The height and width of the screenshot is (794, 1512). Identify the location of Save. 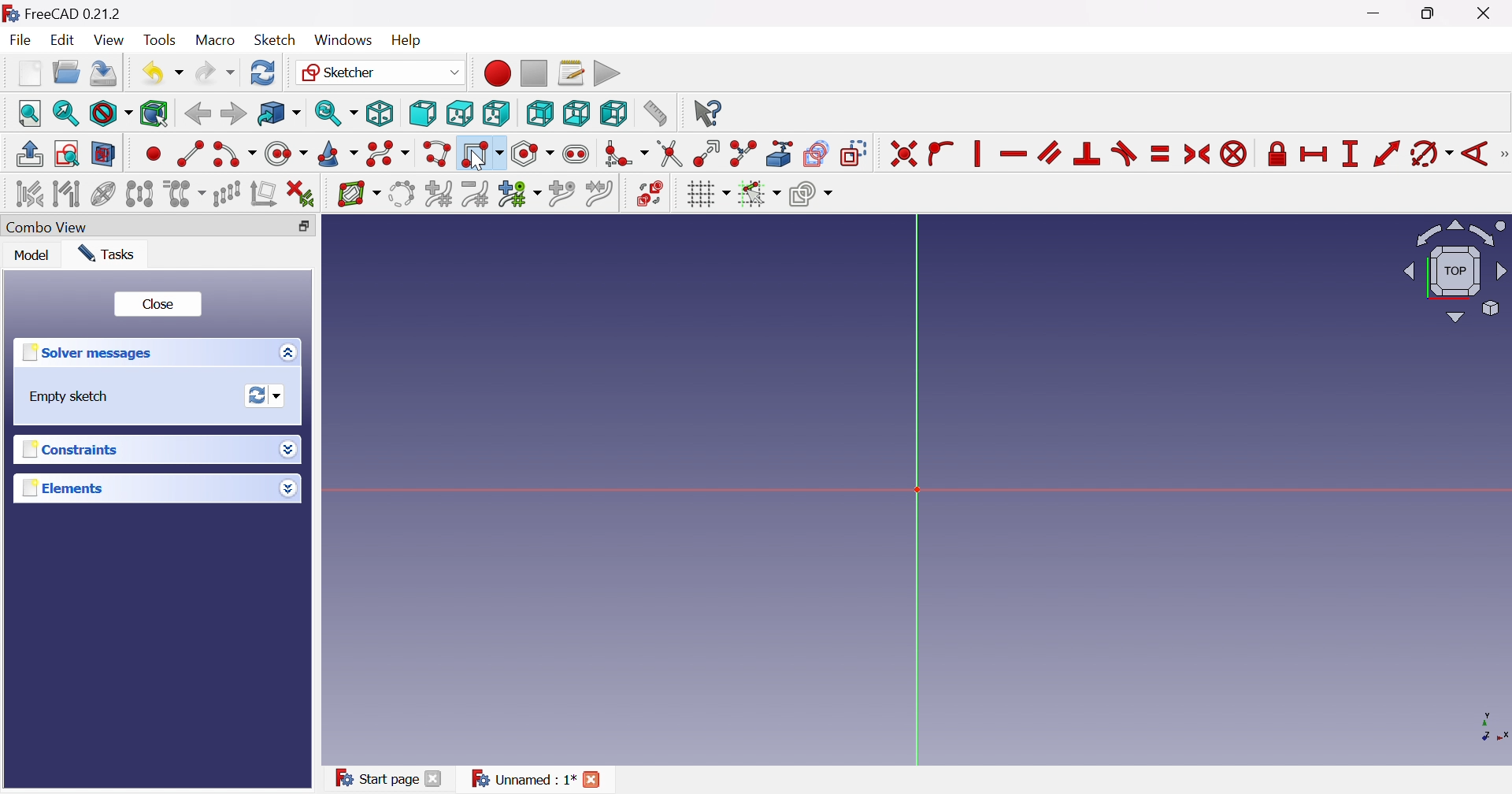
(102, 76).